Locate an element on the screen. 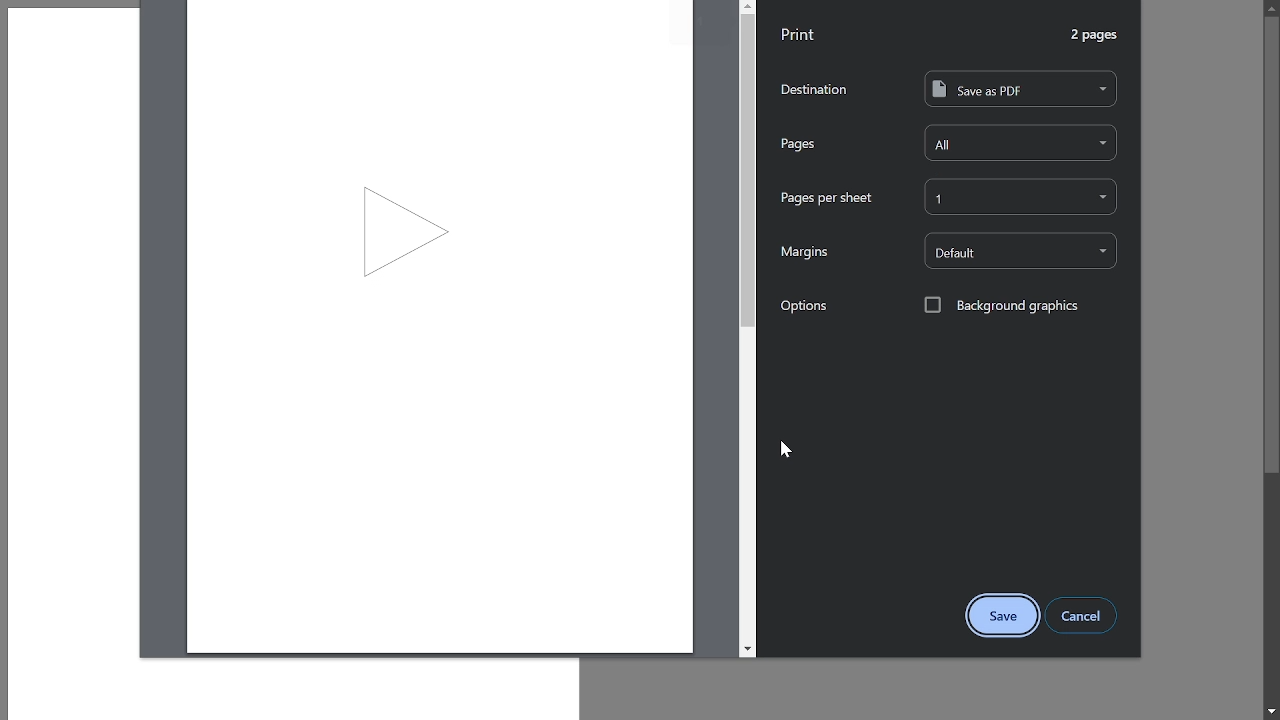 The width and height of the screenshot is (1280, 720). Vertical scrollbar is located at coordinates (1272, 246).